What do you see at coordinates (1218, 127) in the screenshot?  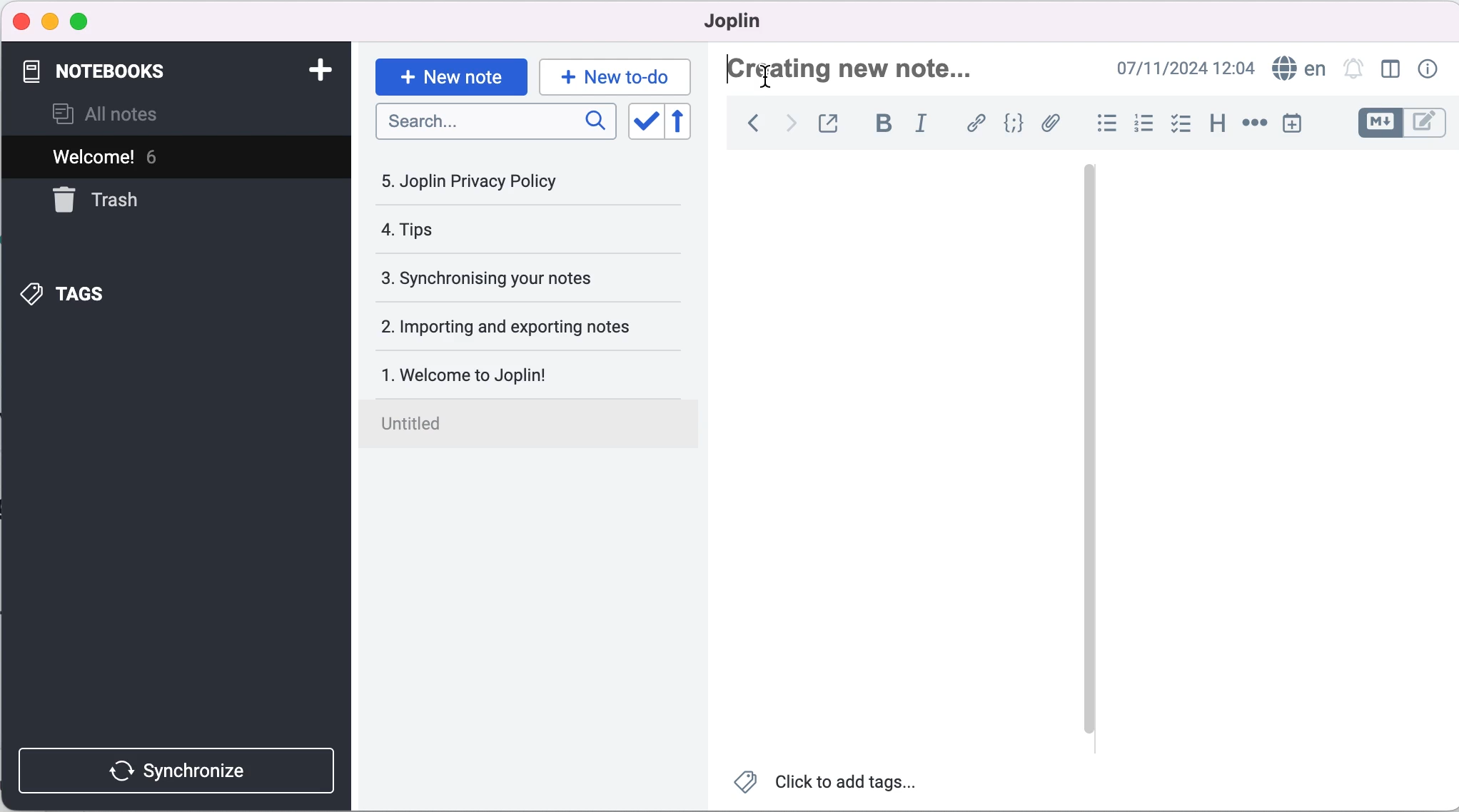 I see `heading` at bounding box center [1218, 127].